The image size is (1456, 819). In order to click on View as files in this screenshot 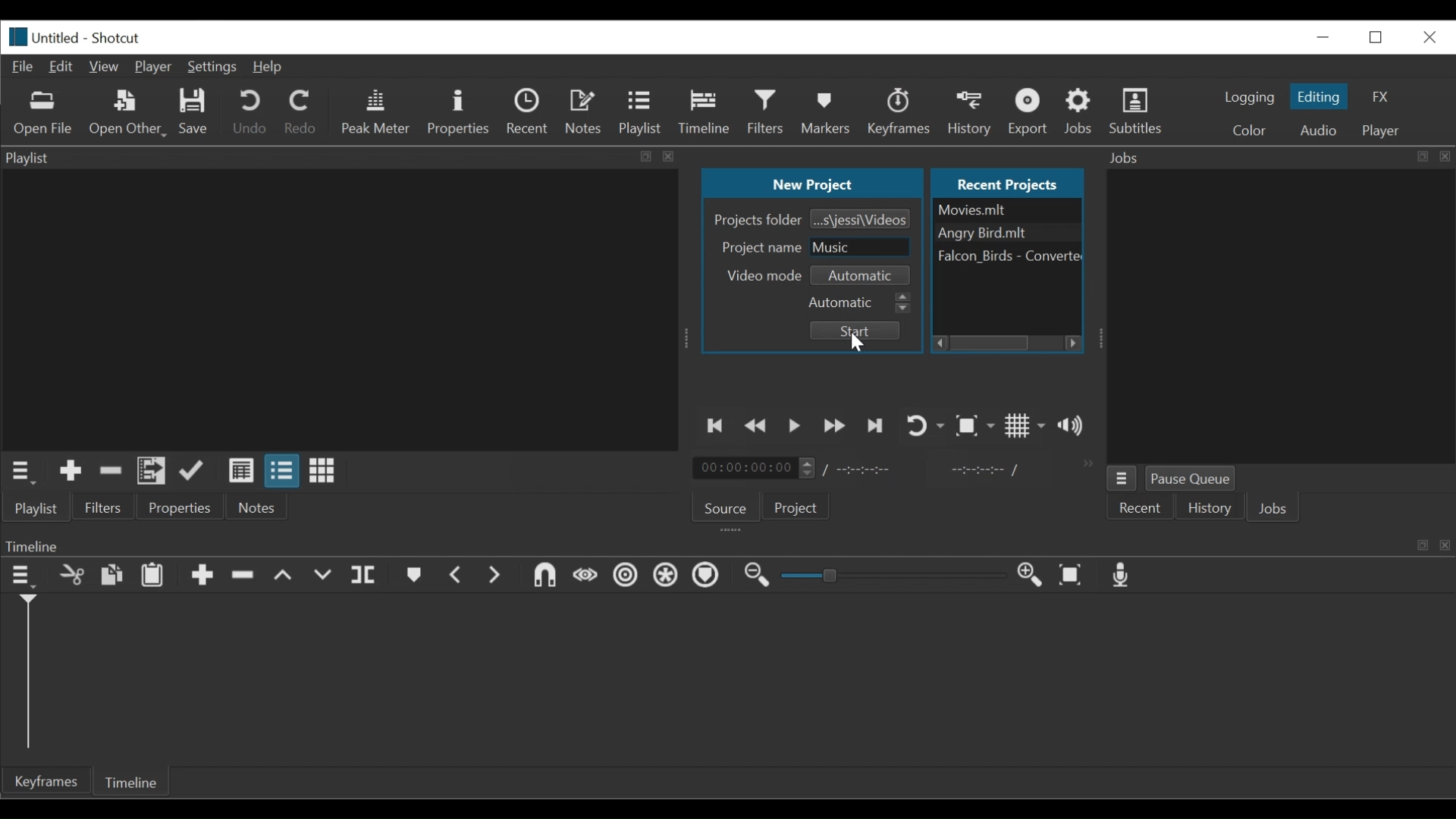, I will do `click(281, 471)`.